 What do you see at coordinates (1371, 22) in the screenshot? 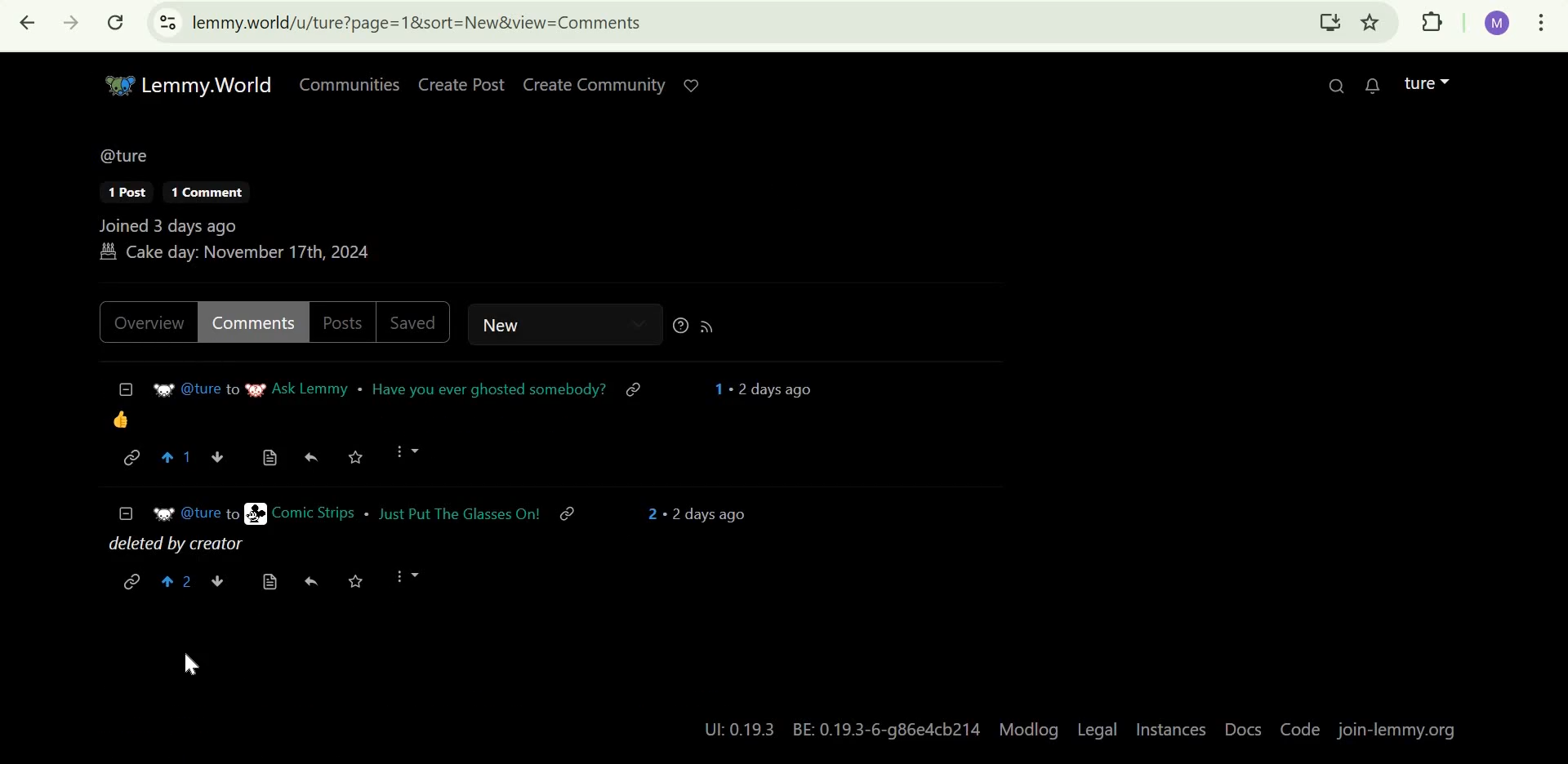
I see `bookmark this tab` at bounding box center [1371, 22].